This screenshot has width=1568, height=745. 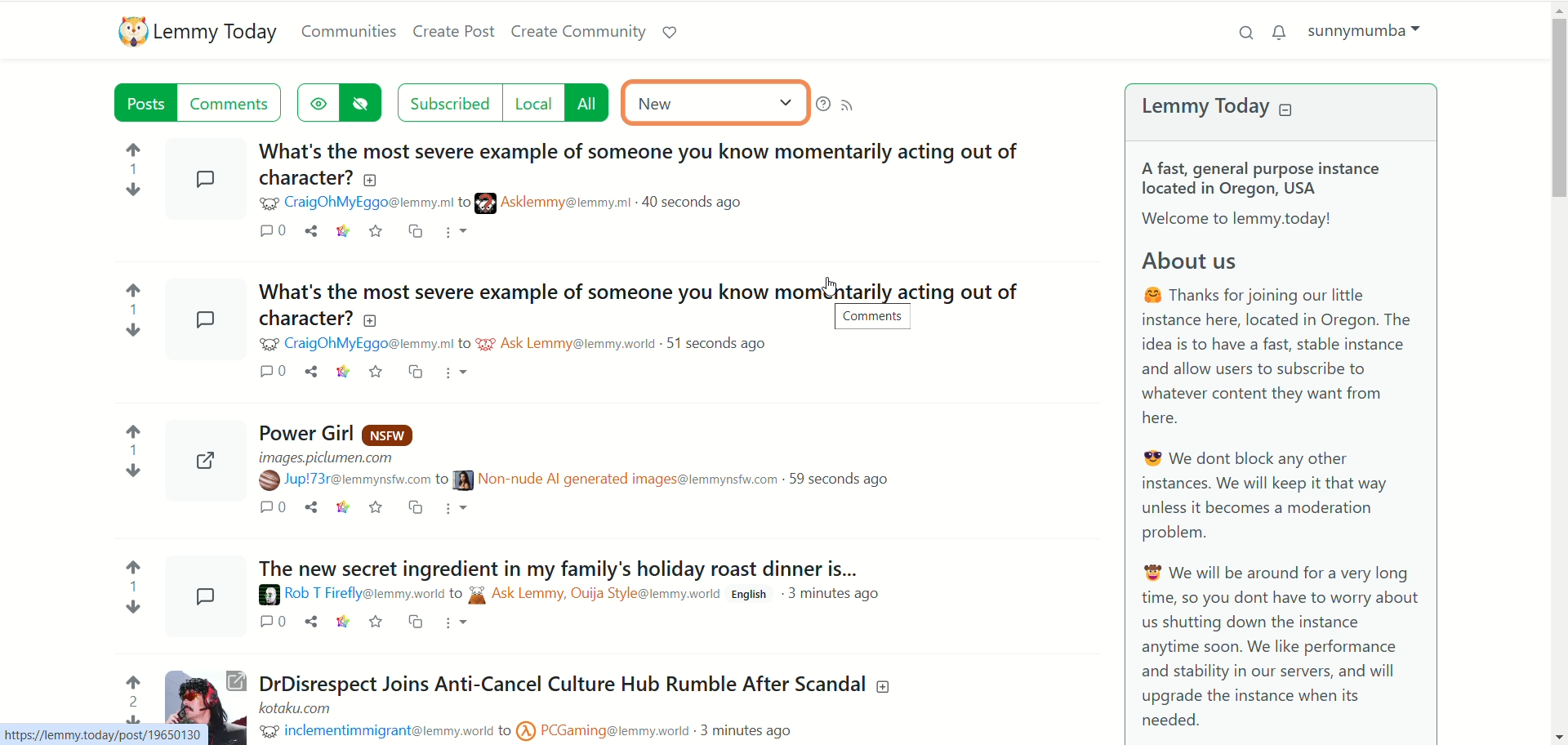 I want to click on Active(sort by), so click(x=713, y=104).